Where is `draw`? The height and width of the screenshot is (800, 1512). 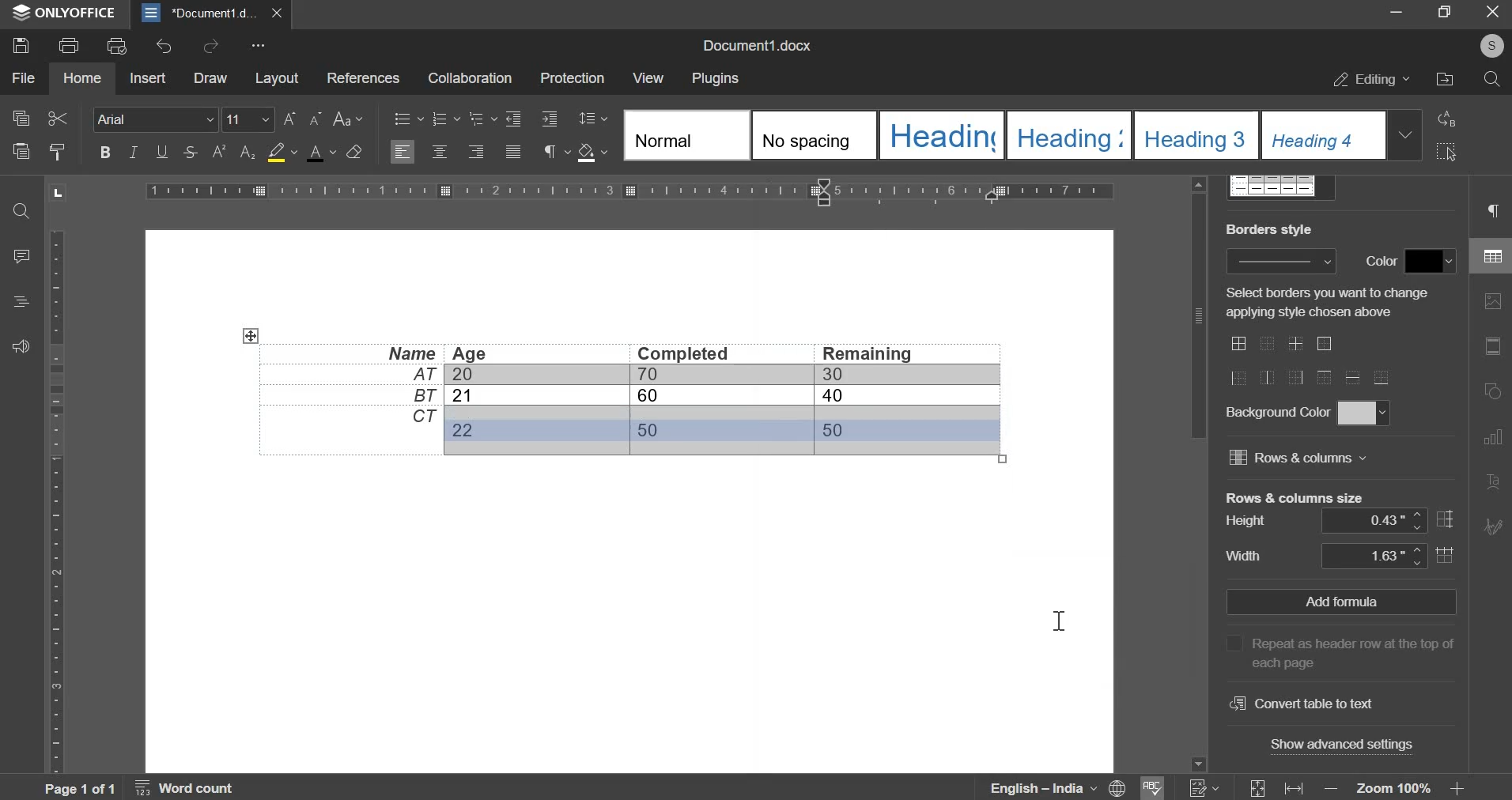 draw is located at coordinates (210, 77).